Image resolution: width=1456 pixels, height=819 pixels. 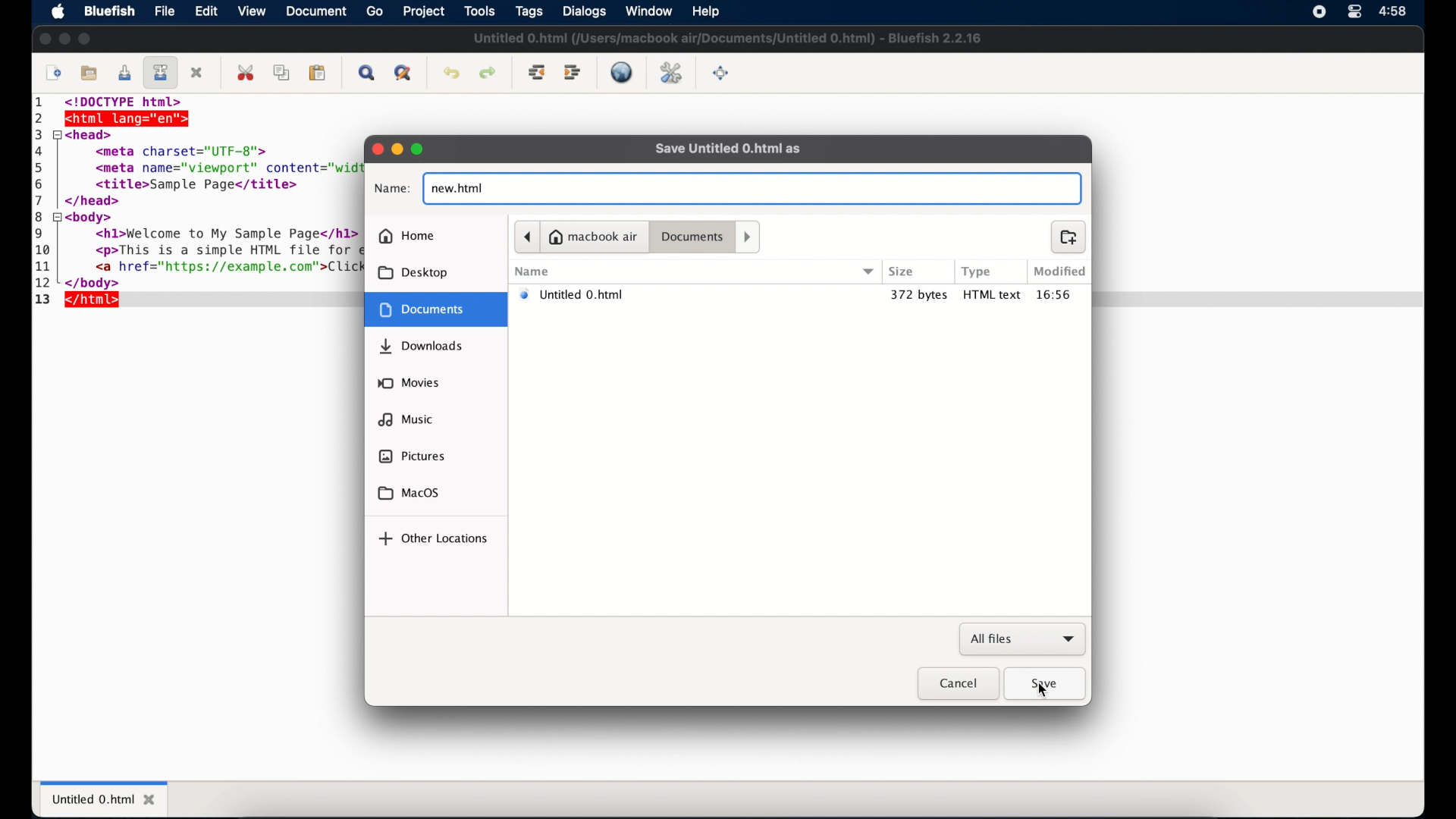 I want to click on 3, so click(x=38, y=134).